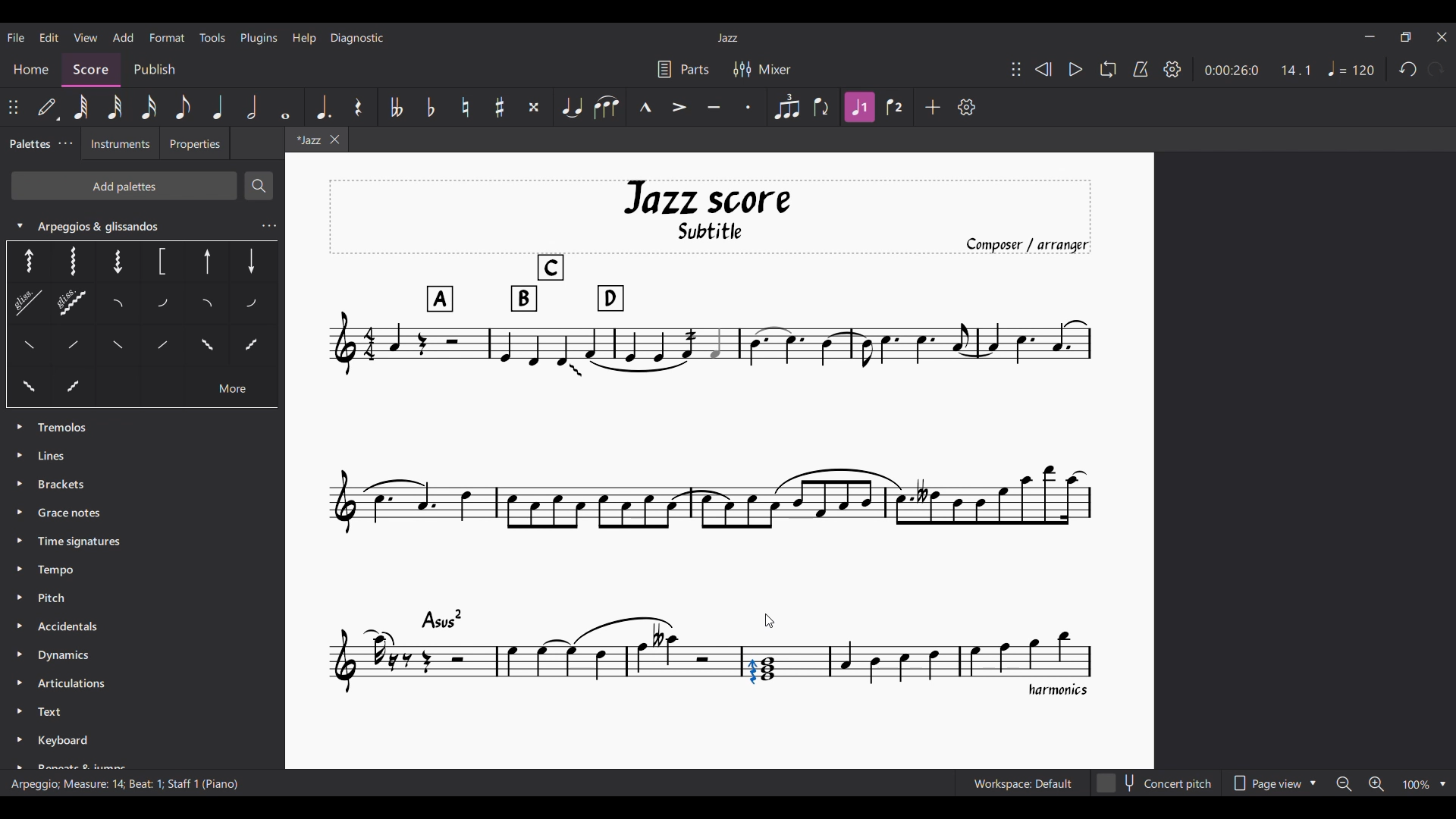  What do you see at coordinates (27, 388) in the screenshot?
I see `` at bounding box center [27, 388].